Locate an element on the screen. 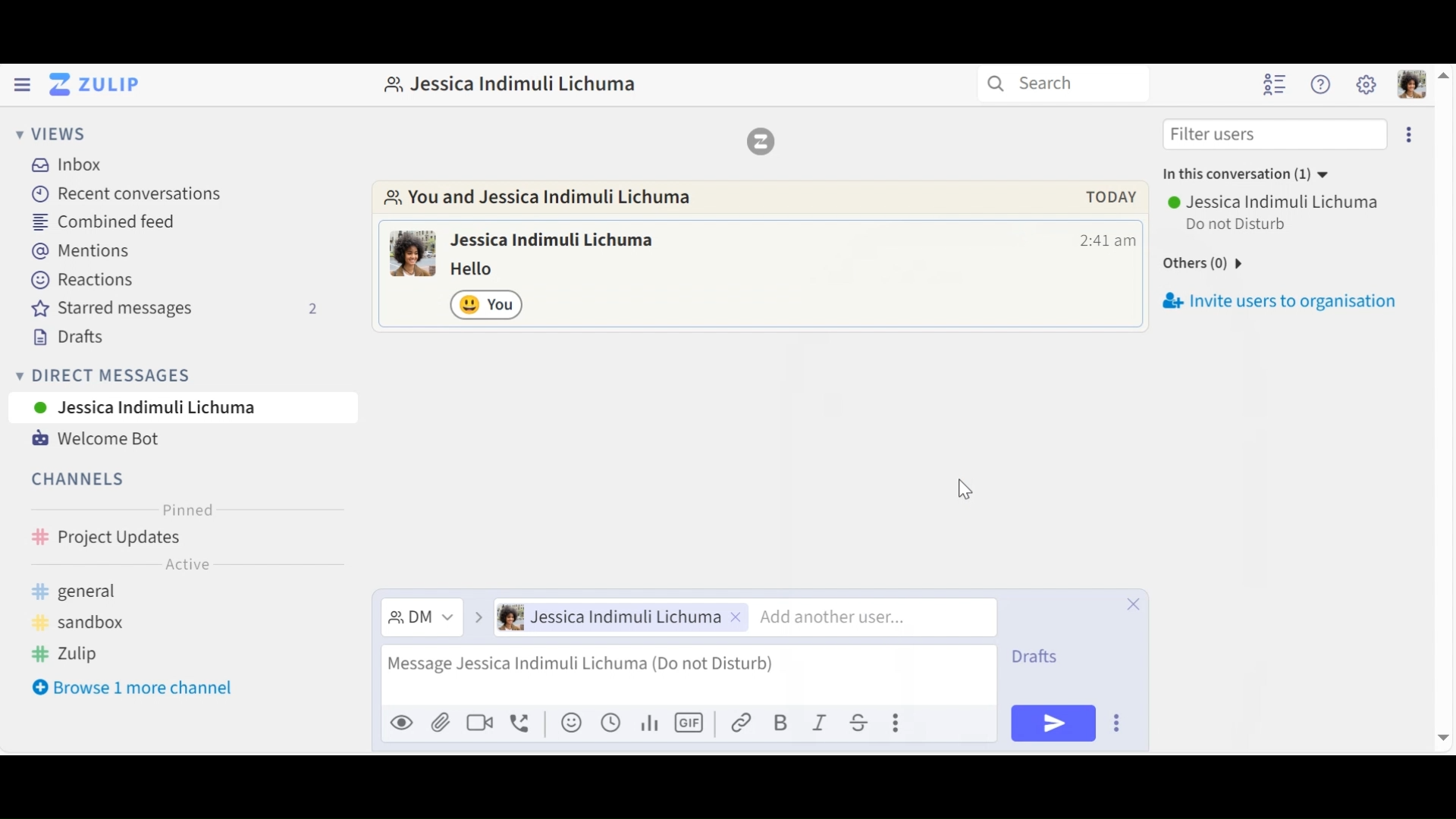 The height and width of the screenshot is (819, 1456). Status is located at coordinates (1239, 225).